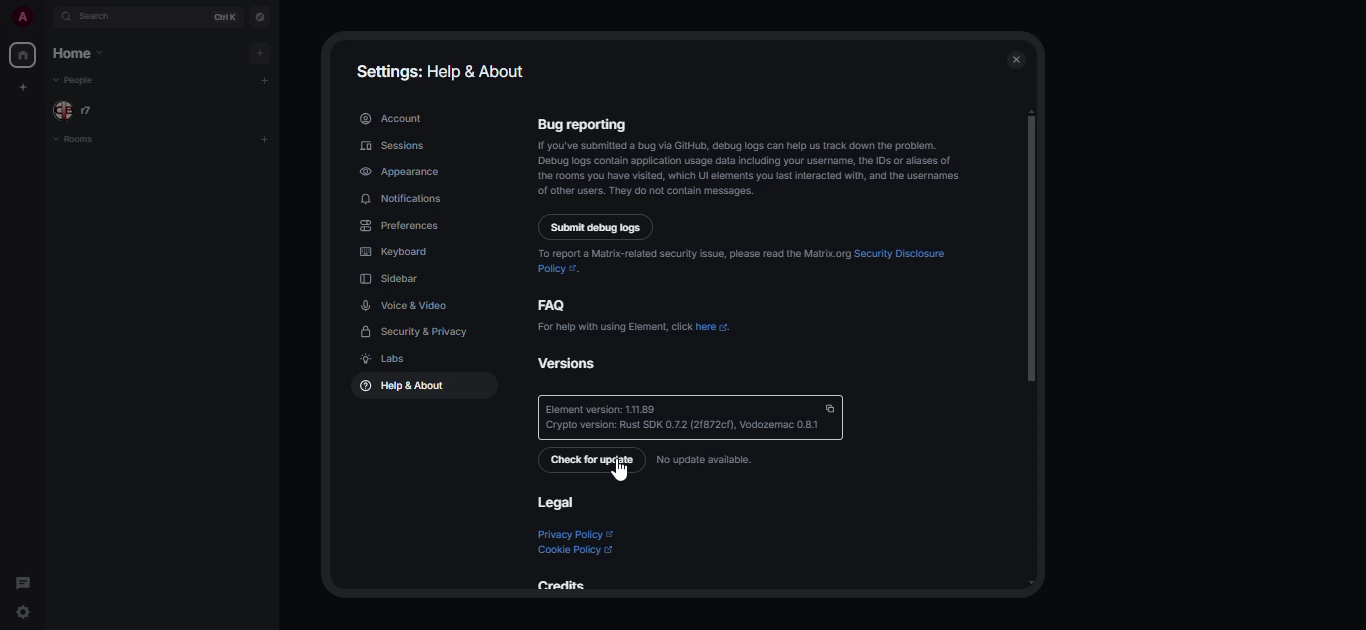  Describe the element at coordinates (262, 53) in the screenshot. I see `add` at that location.